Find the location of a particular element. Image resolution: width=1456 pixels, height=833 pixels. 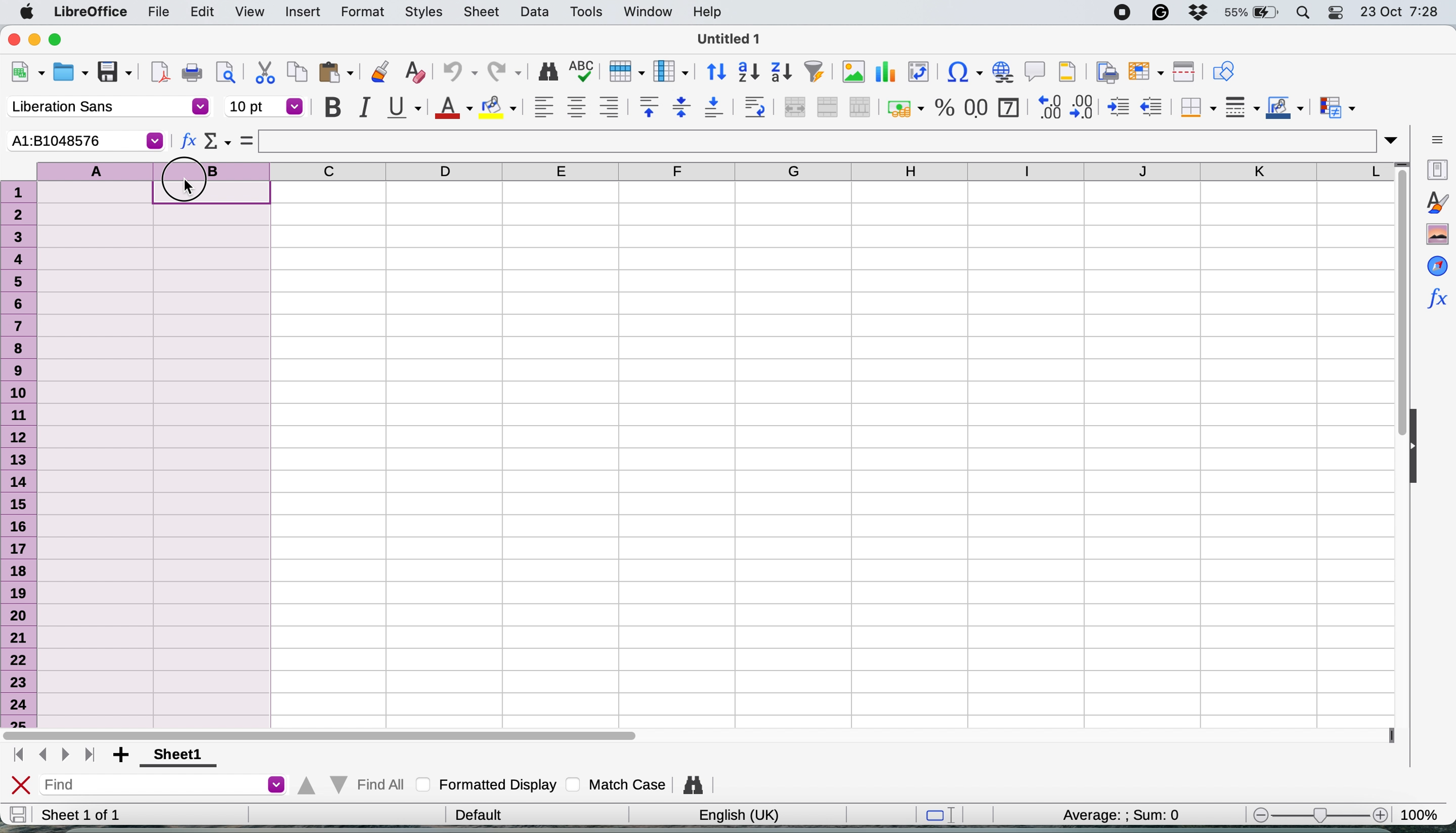

fill color is located at coordinates (498, 108).